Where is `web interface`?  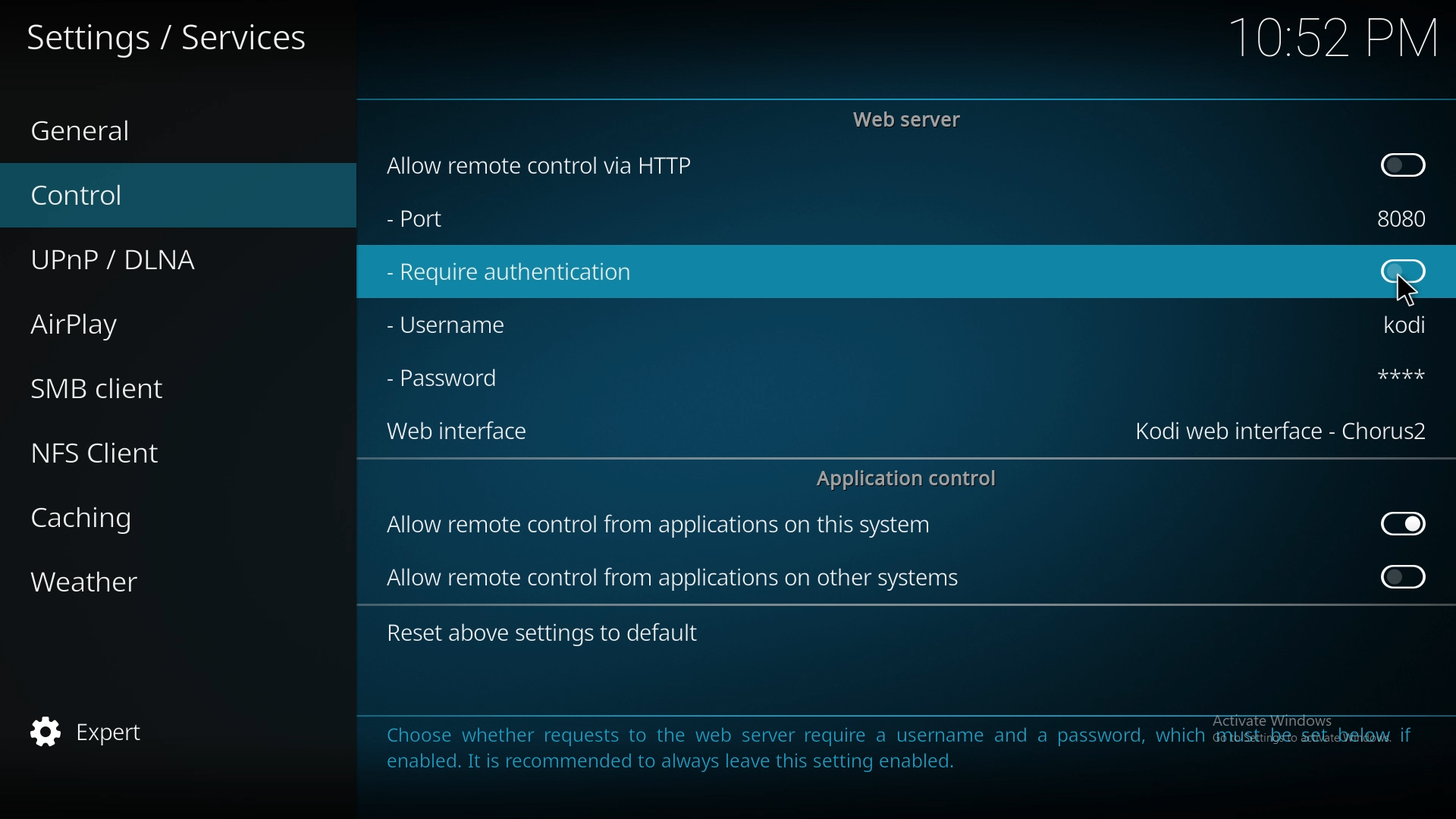
web interface is located at coordinates (467, 434).